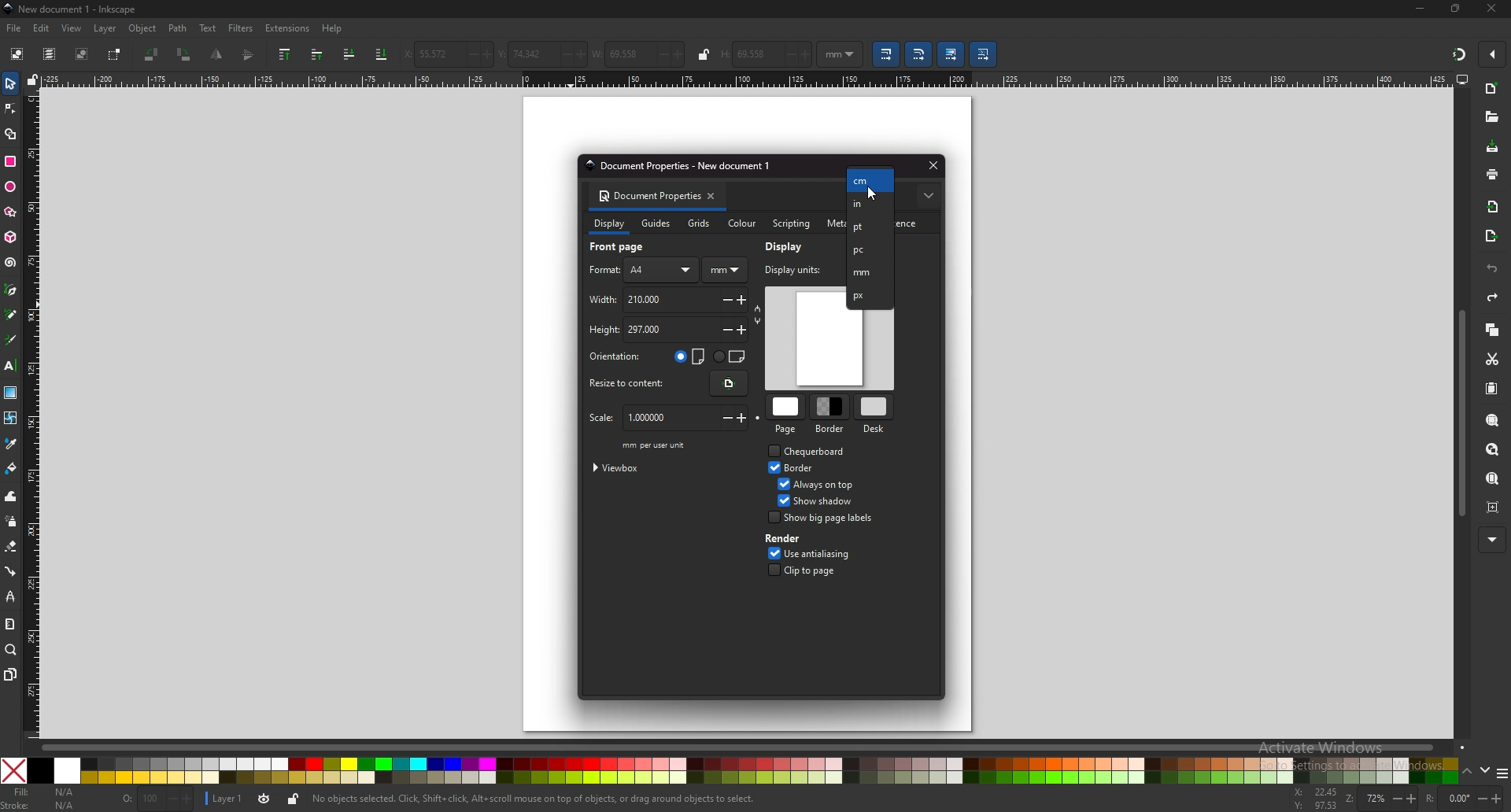  Describe the element at coordinates (853, 54) in the screenshot. I see `Drop down` at that location.